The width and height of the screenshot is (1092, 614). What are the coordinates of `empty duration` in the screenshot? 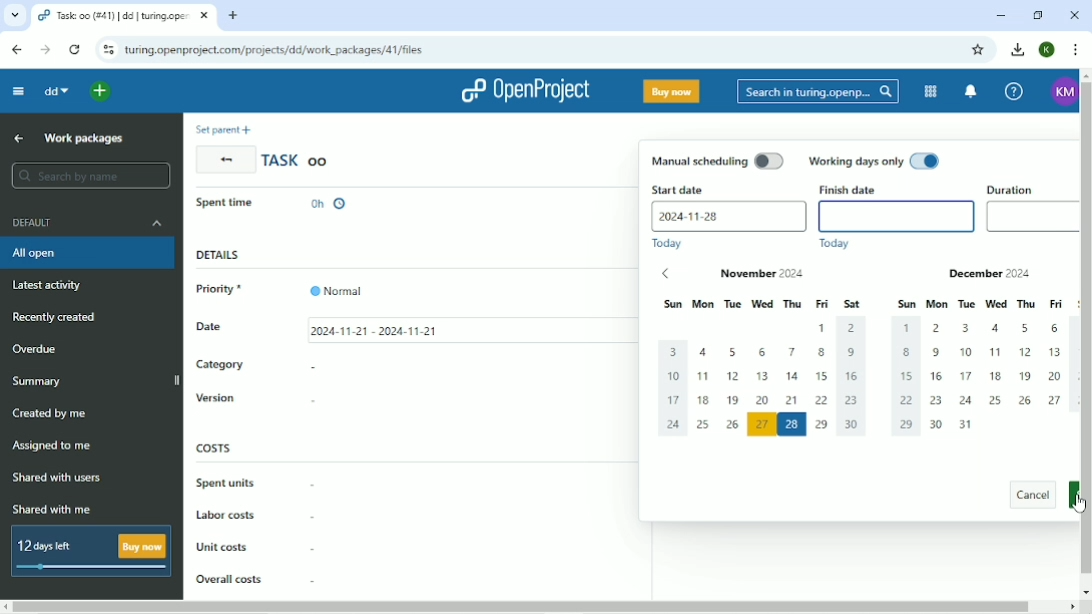 It's located at (1029, 217).